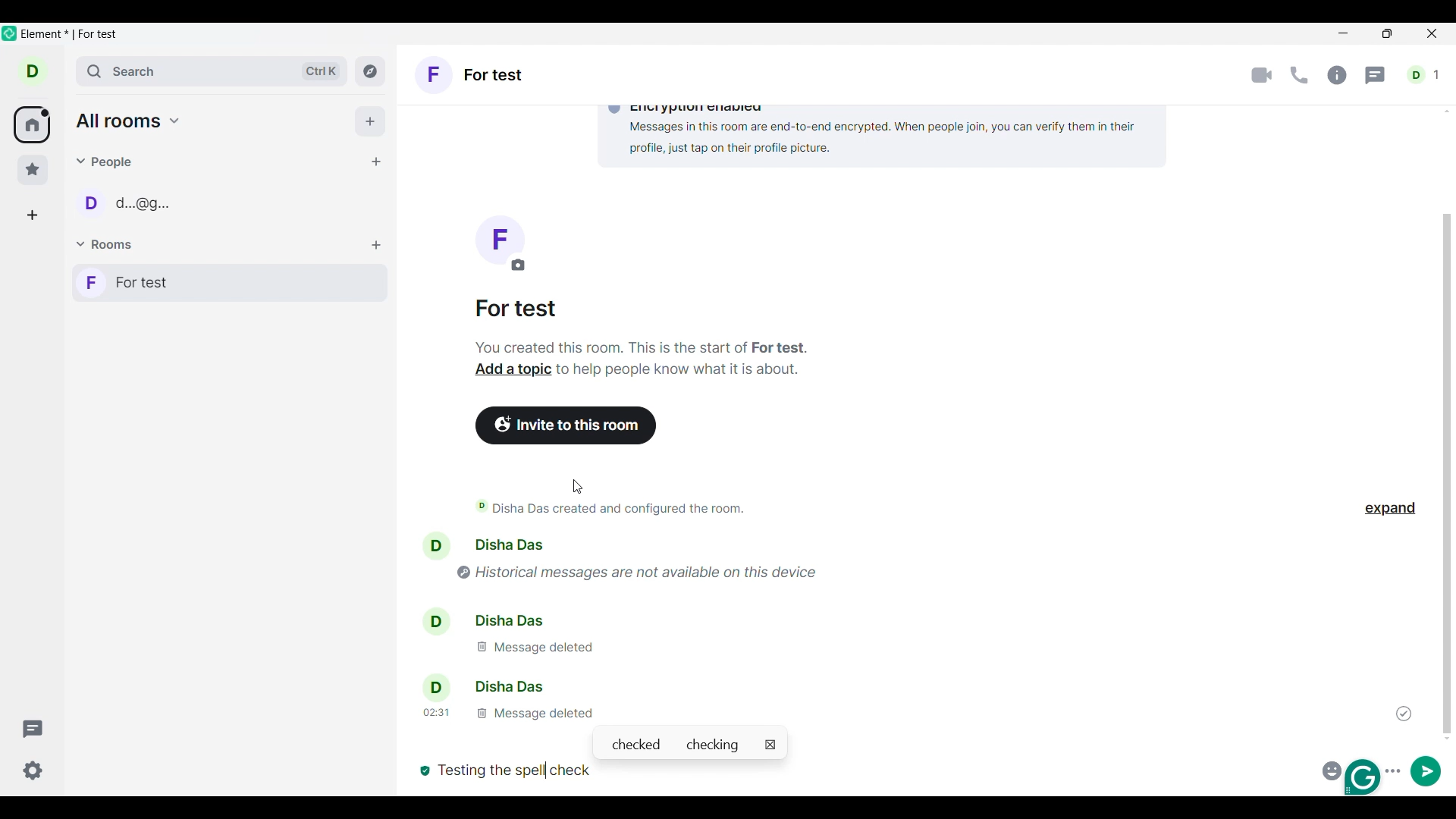  What do you see at coordinates (622, 508) in the screenshot?
I see `Disha Das created and configured the room.` at bounding box center [622, 508].